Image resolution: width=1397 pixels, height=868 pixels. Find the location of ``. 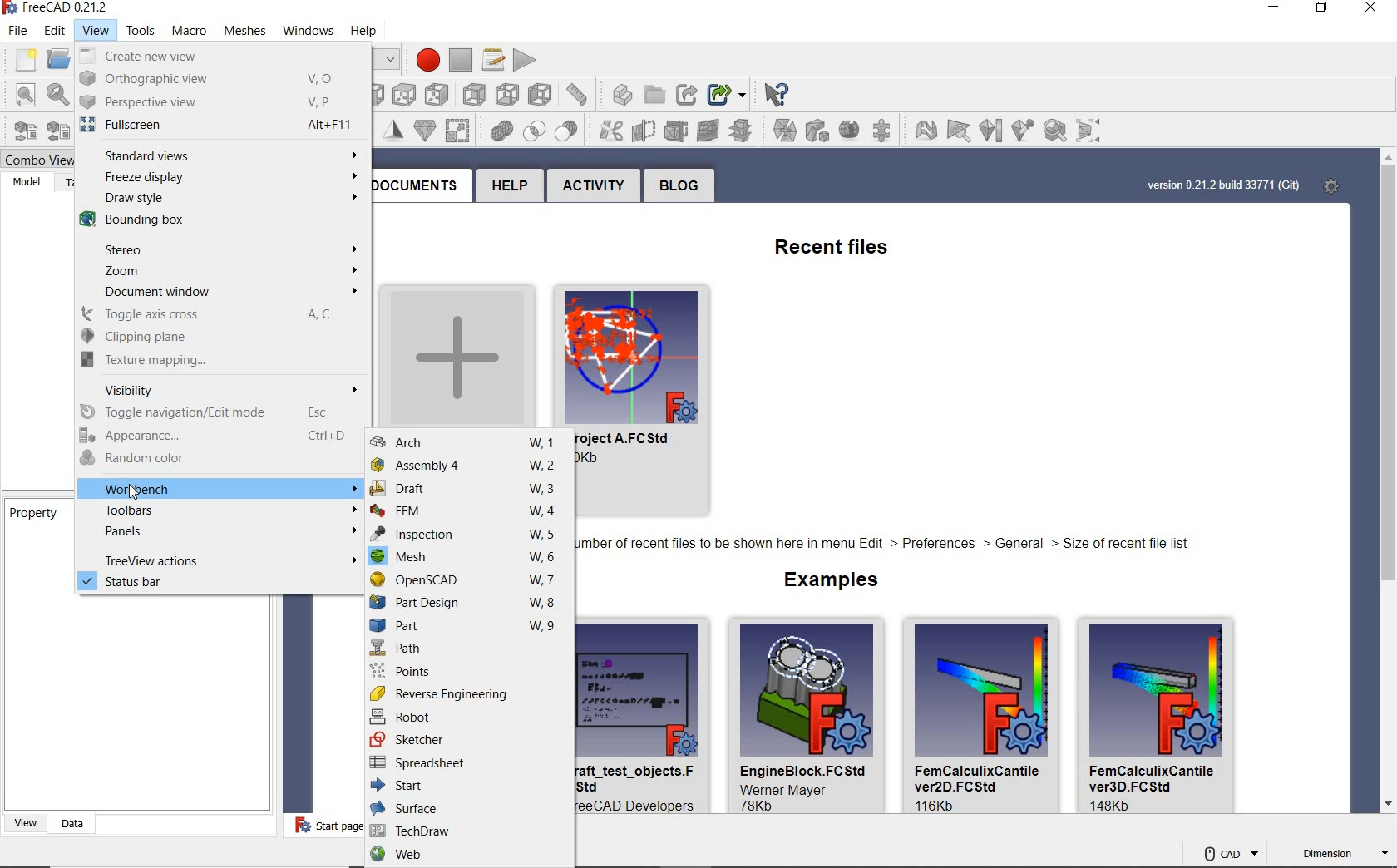

 is located at coordinates (220, 436).